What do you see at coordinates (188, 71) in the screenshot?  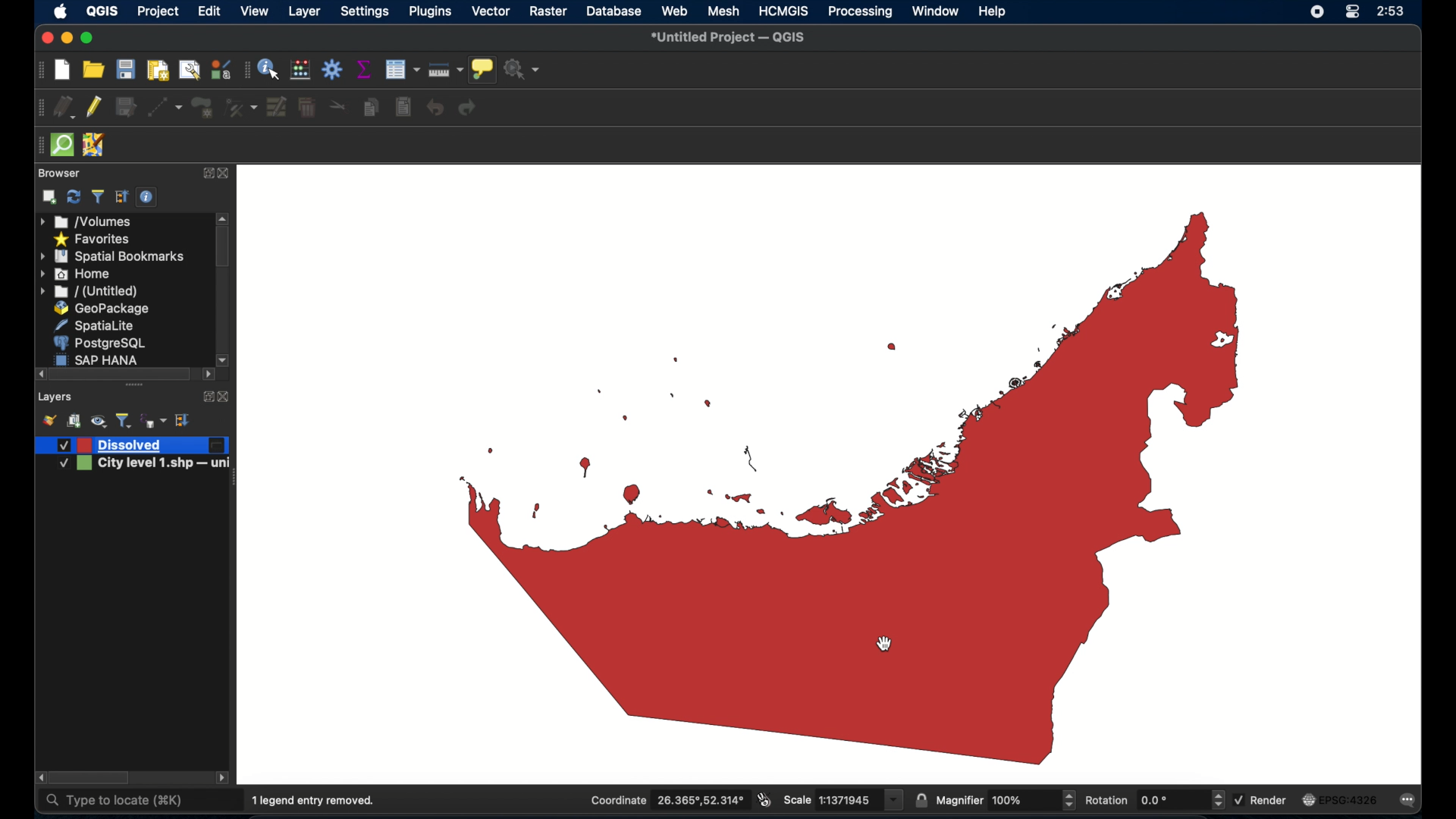 I see `open layout manager` at bounding box center [188, 71].